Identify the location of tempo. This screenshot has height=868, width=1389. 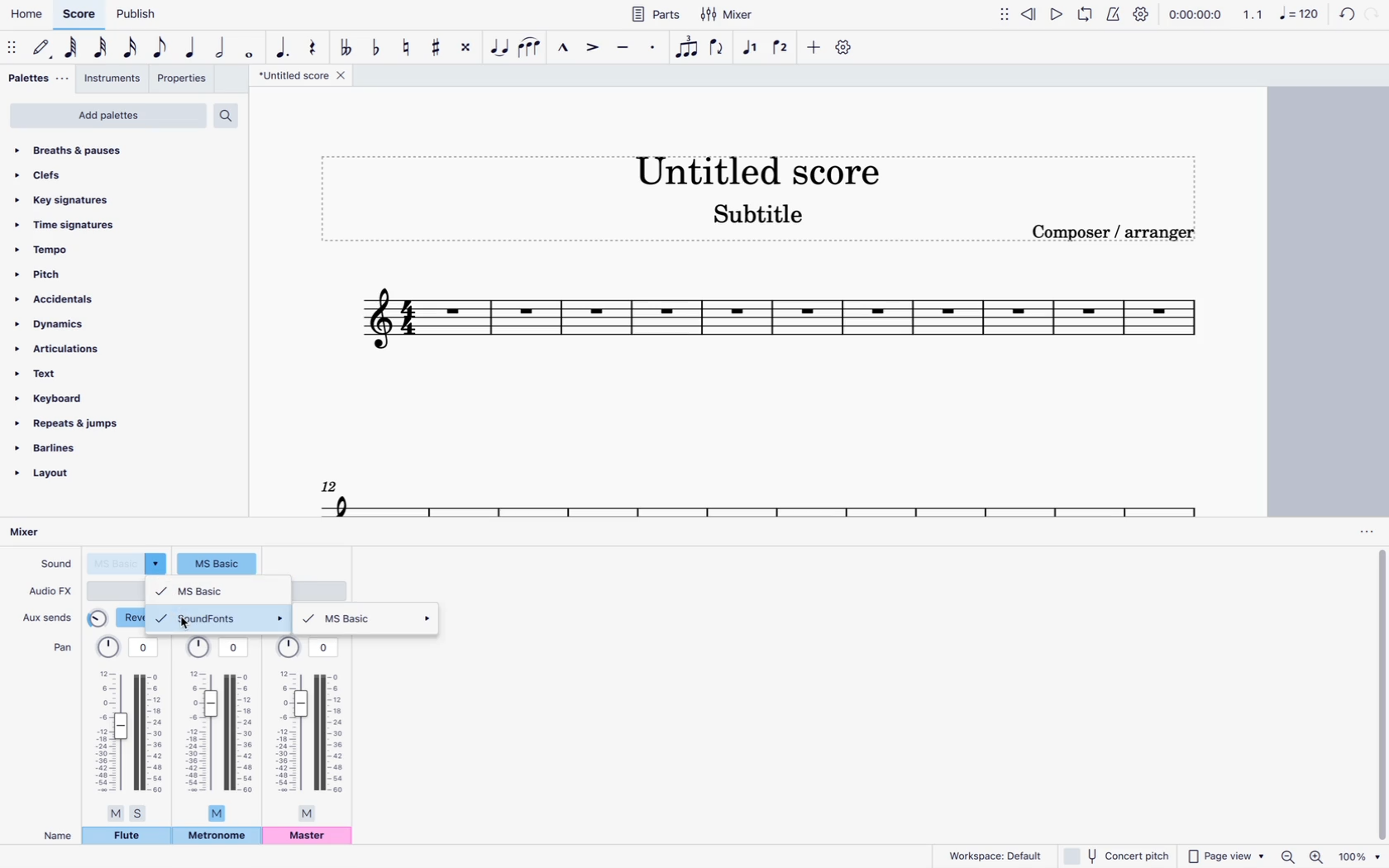
(77, 249).